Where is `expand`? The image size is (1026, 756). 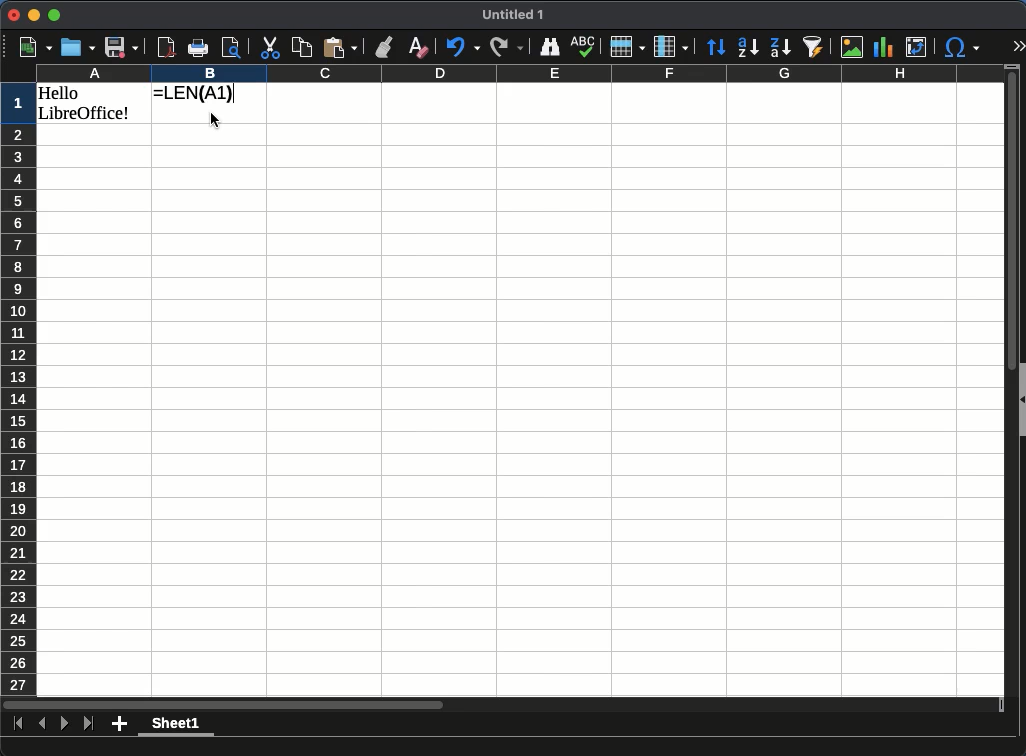 expand is located at coordinates (1020, 47).